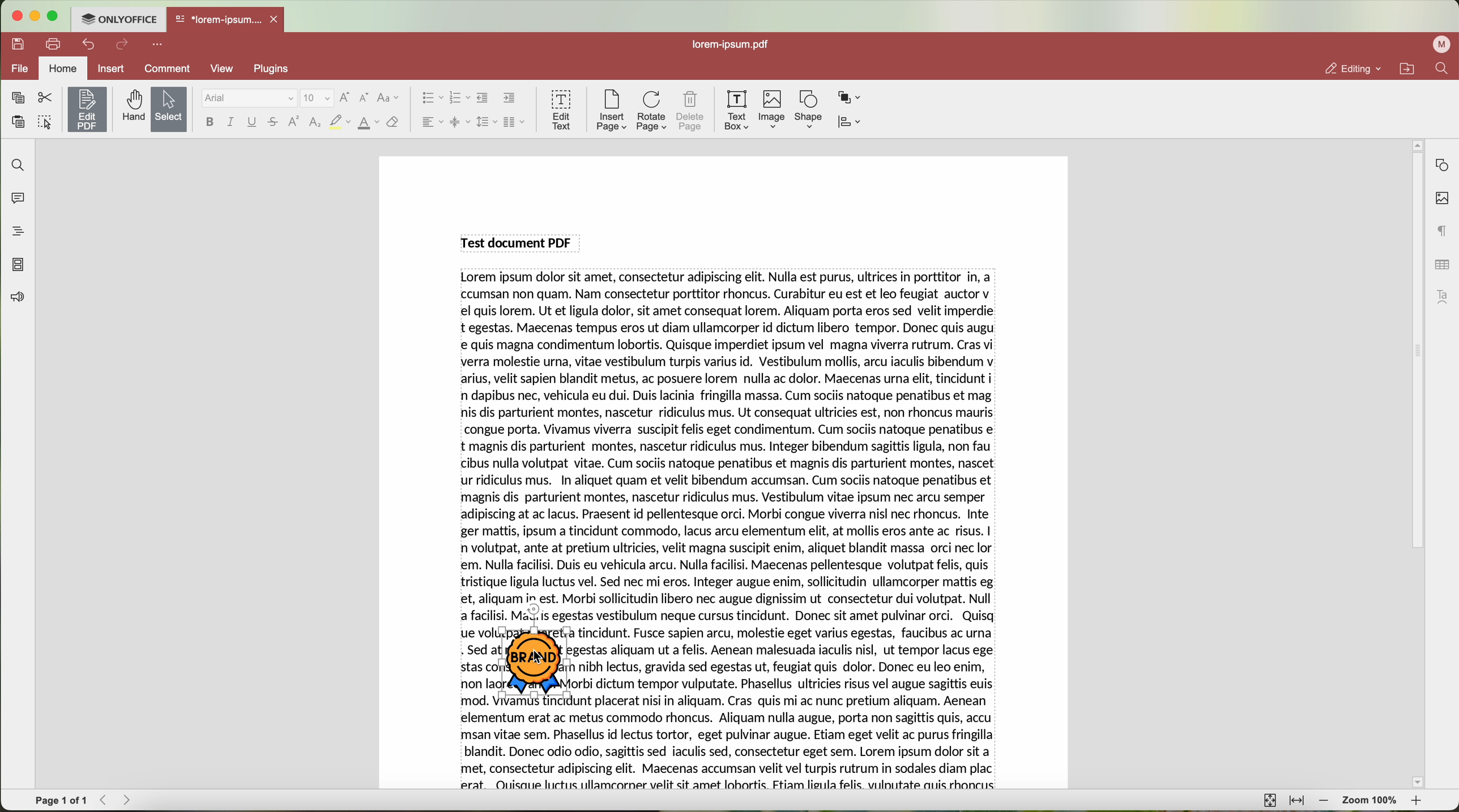 The image size is (1459, 812). I want to click on strikeout, so click(274, 123).